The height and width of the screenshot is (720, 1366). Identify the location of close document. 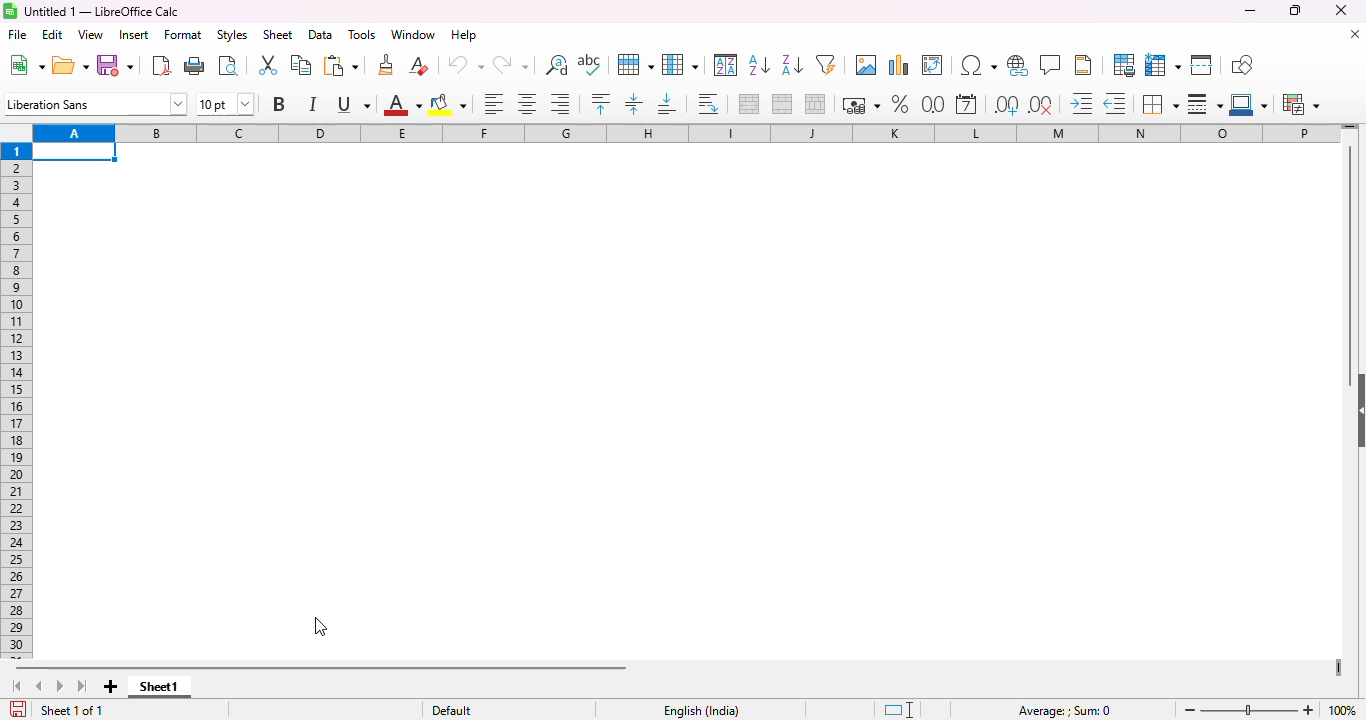
(1355, 34).